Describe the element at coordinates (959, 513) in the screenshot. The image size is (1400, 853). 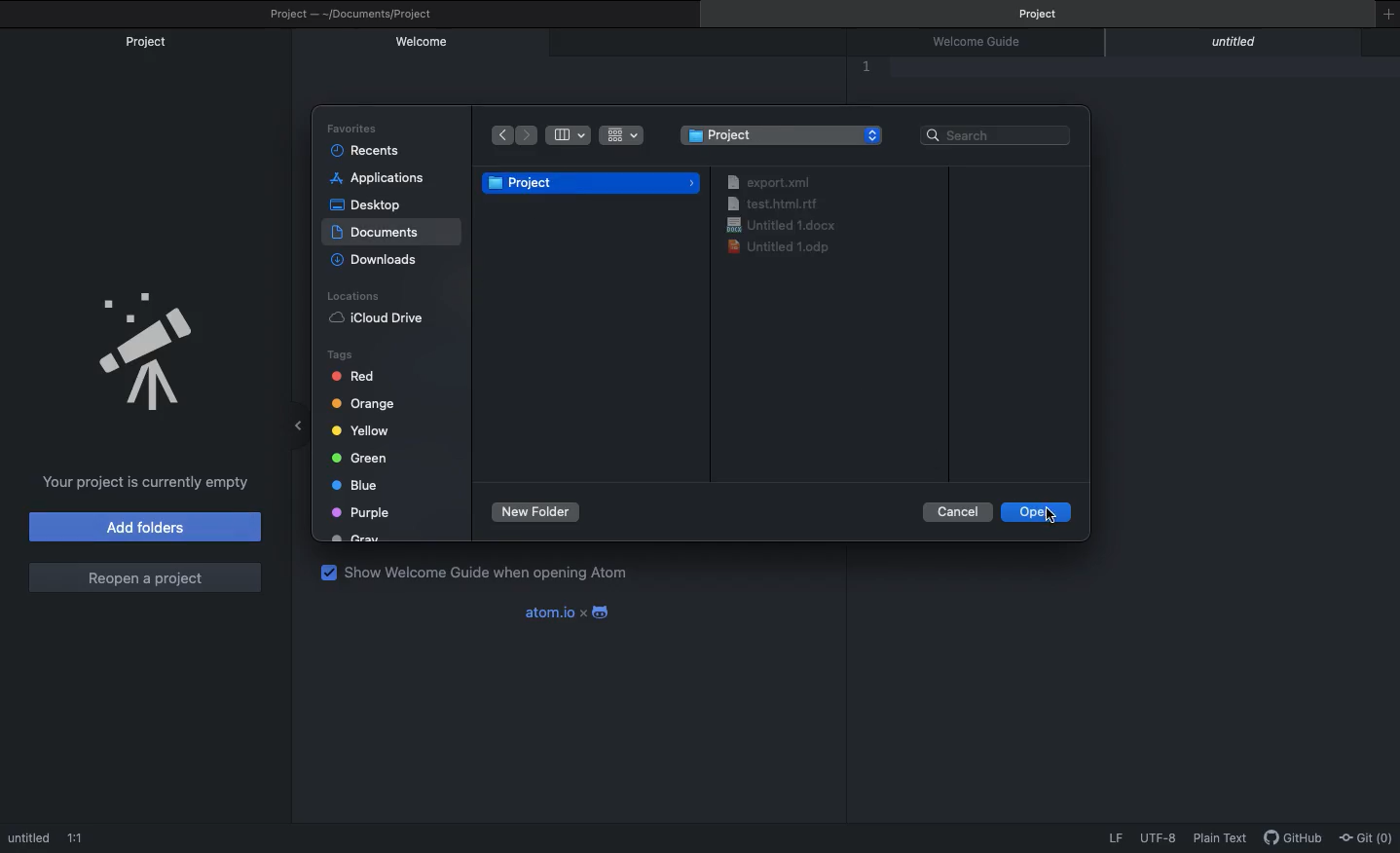
I see `Cancel ` at that location.